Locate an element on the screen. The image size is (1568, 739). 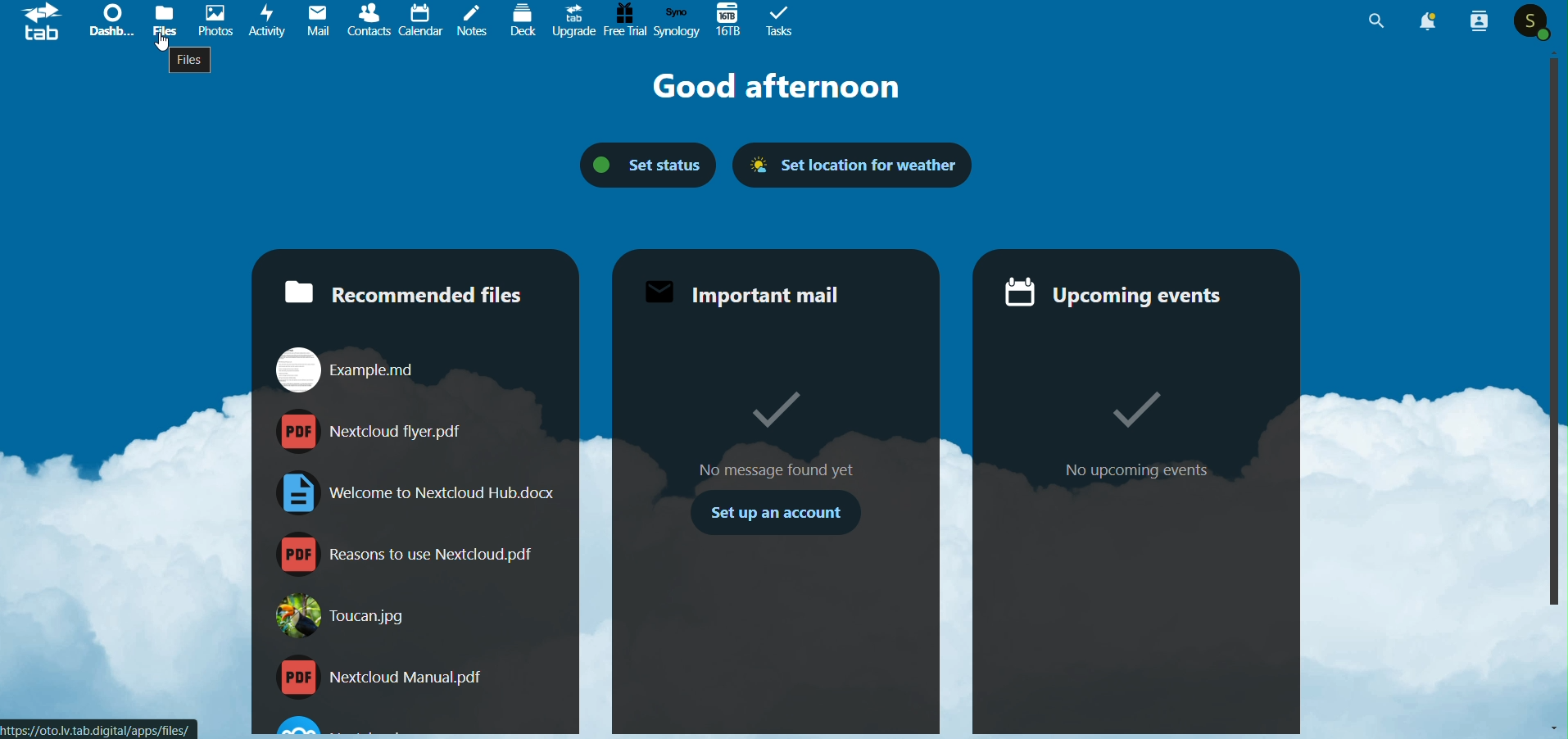
Set Location for Weather is located at coordinates (859, 168).